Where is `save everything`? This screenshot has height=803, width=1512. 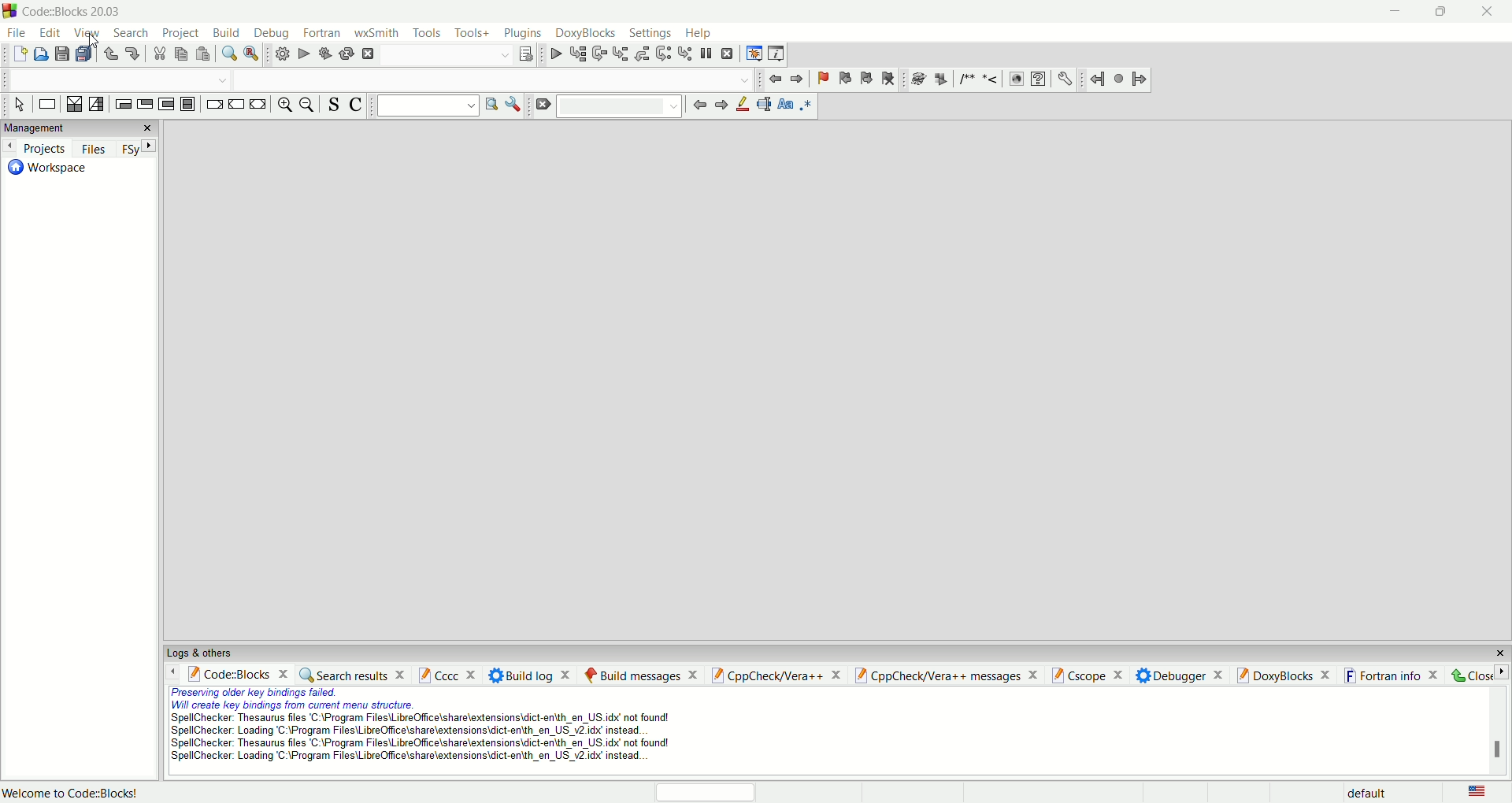
save everything is located at coordinates (86, 54).